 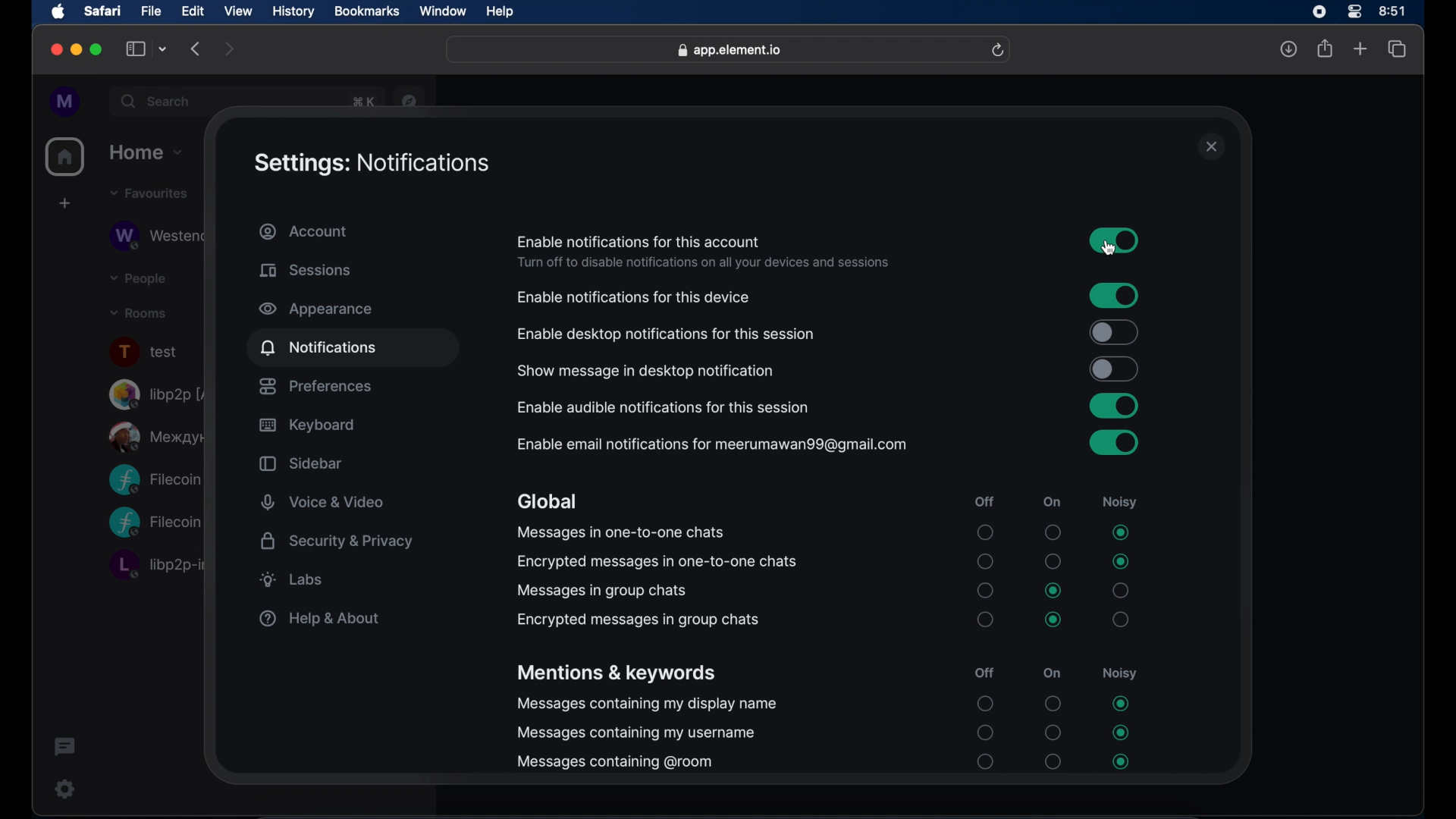 What do you see at coordinates (984, 704) in the screenshot?
I see `radio button` at bounding box center [984, 704].